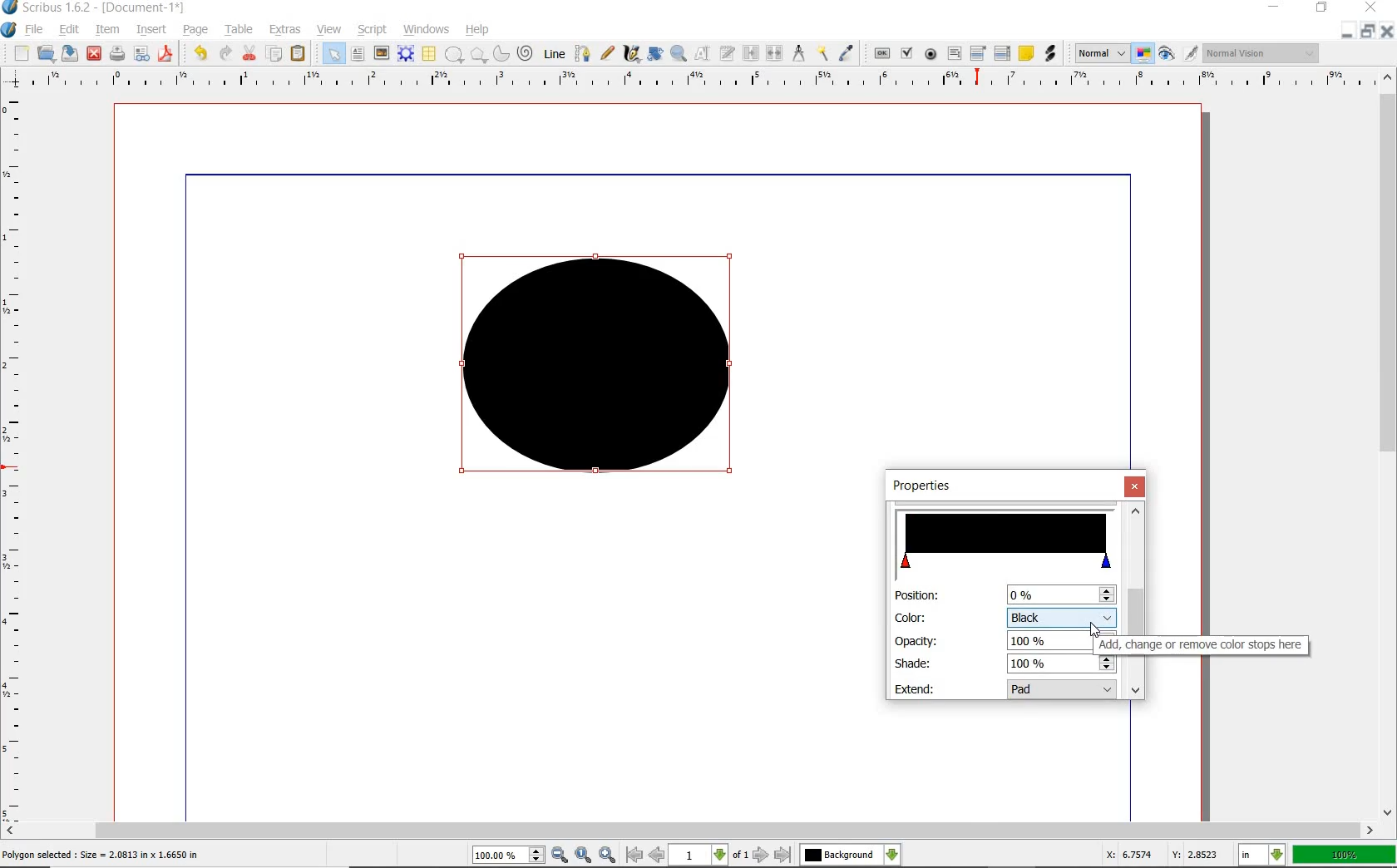 This screenshot has height=868, width=1397. What do you see at coordinates (913, 663) in the screenshot?
I see `shade` at bounding box center [913, 663].